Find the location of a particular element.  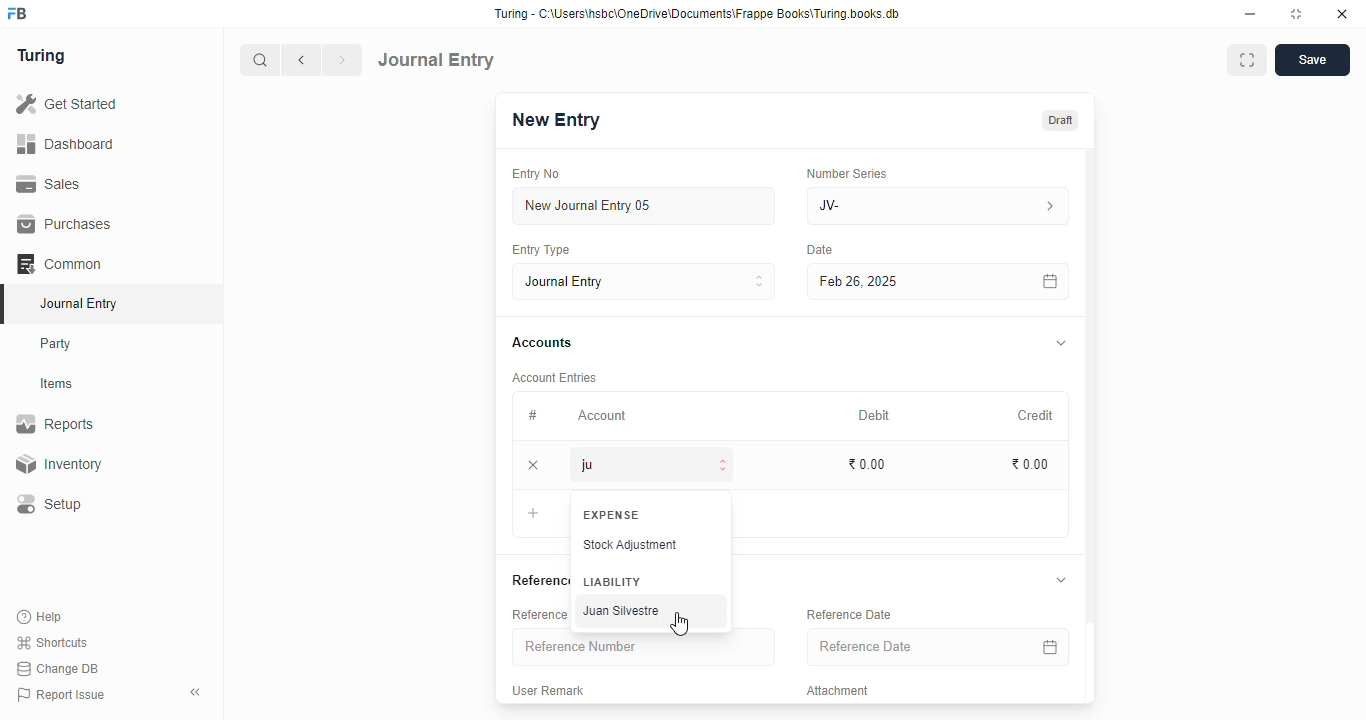

accounts is located at coordinates (542, 343).